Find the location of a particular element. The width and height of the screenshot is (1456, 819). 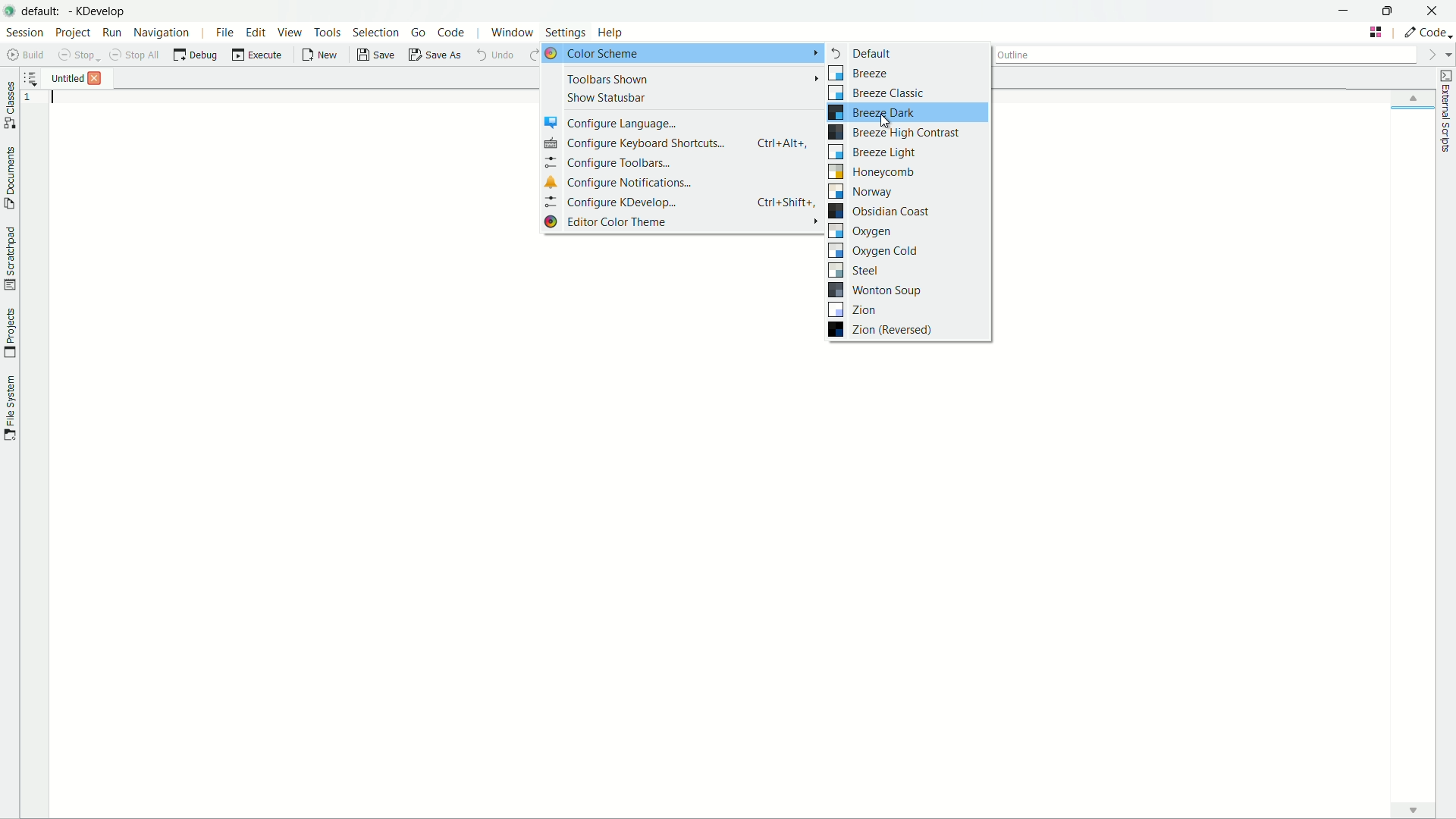

settings is located at coordinates (568, 30).